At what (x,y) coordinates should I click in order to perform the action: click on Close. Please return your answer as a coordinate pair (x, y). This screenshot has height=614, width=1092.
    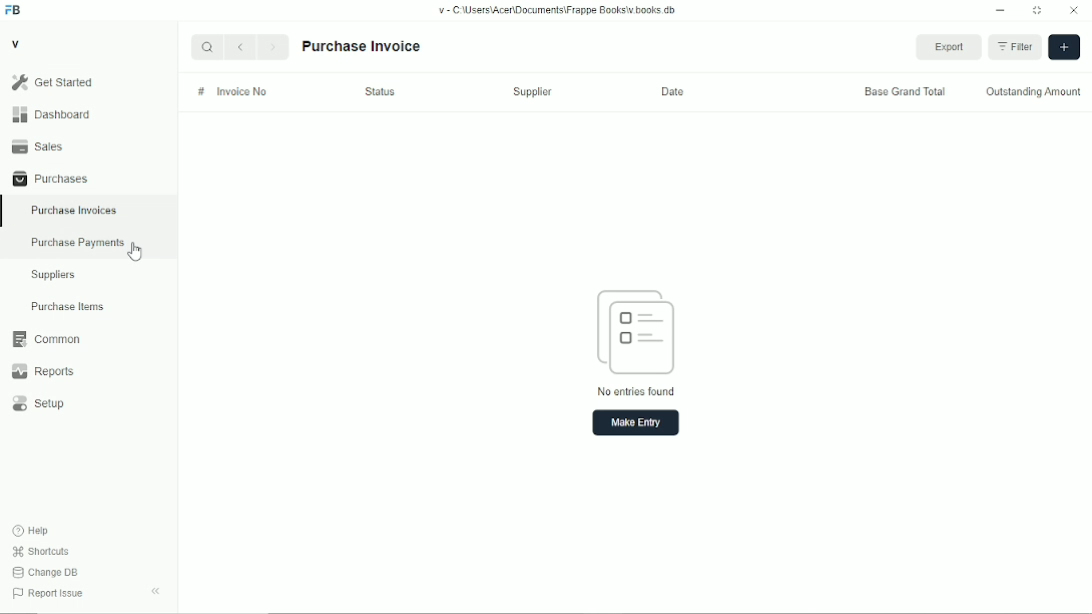
    Looking at the image, I should click on (1074, 10).